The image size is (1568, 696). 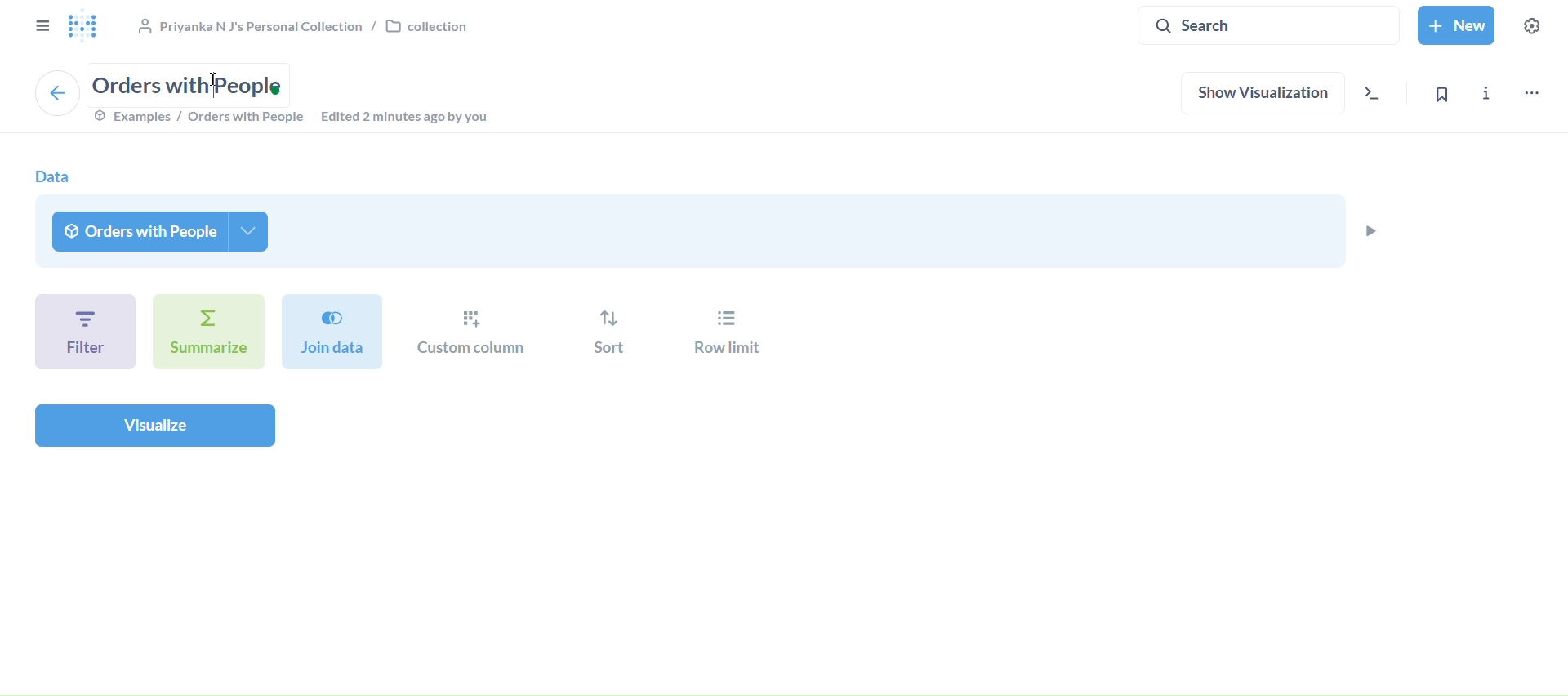 What do you see at coordinates (1534, 27) in the screenshot?
I see `settings` at bounding box center [1534, 27].